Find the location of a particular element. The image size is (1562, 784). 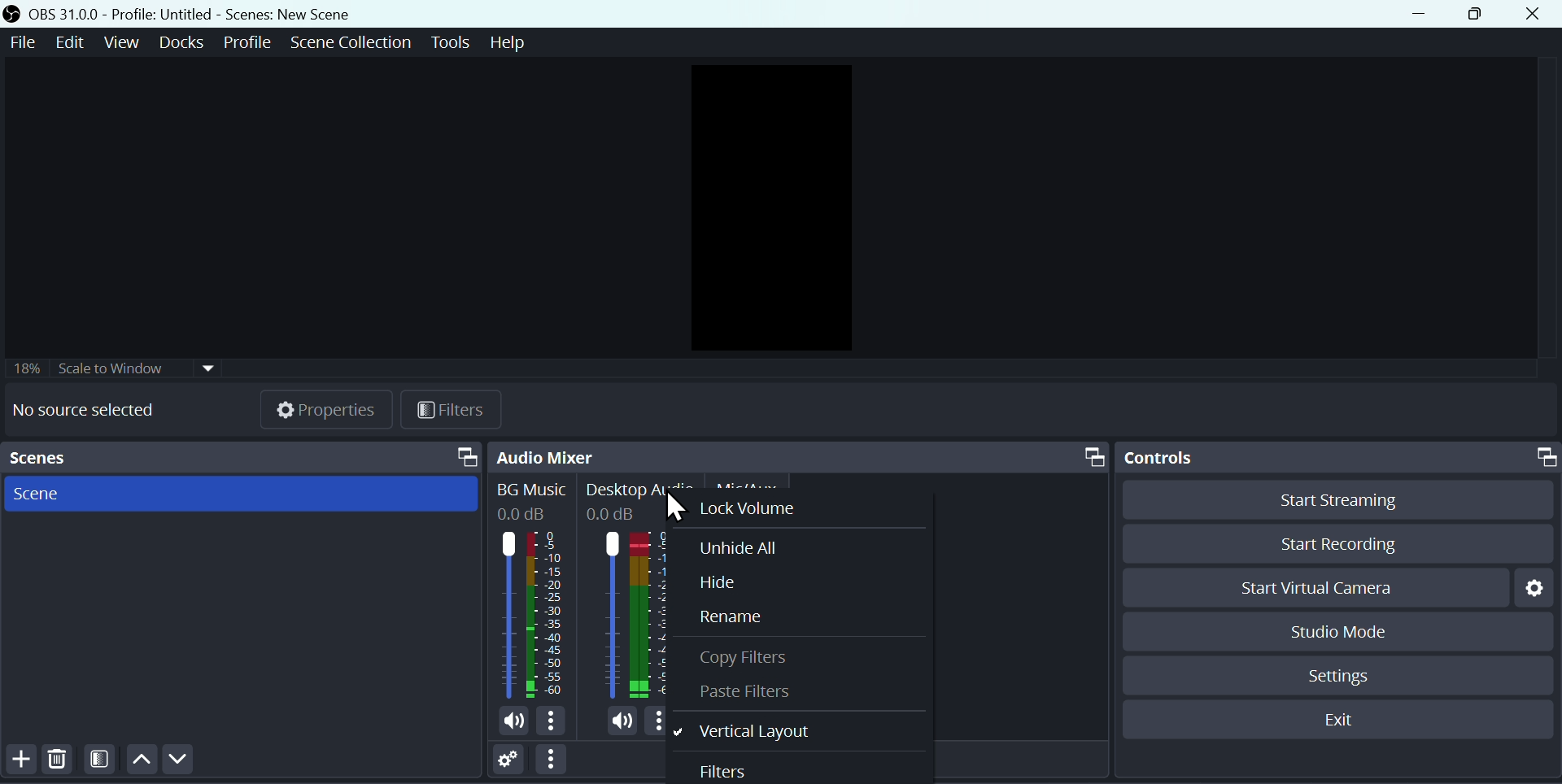

Rename is located at coordinates (734, 621).